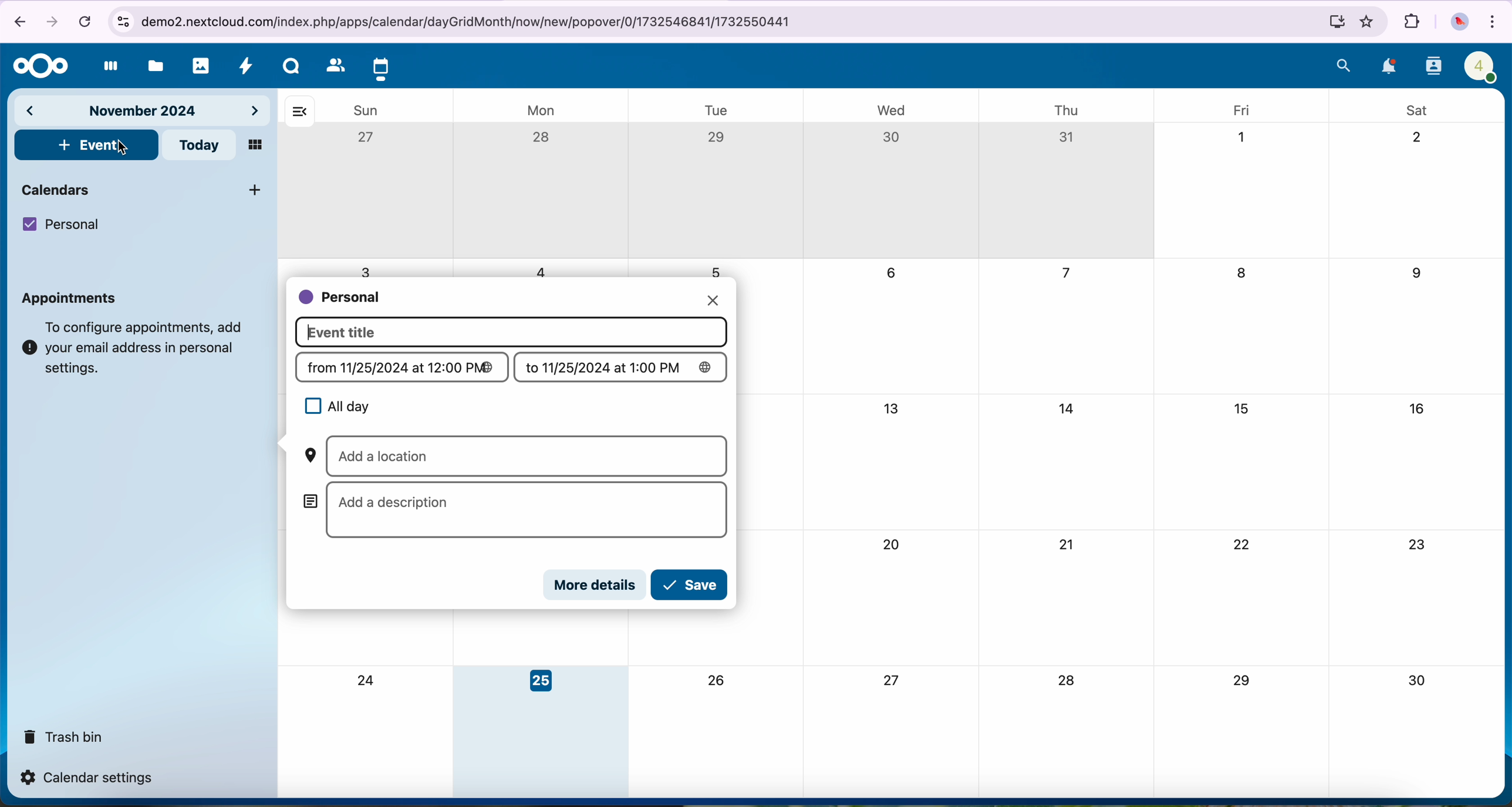  I want to click on 26, so click(720, 680).